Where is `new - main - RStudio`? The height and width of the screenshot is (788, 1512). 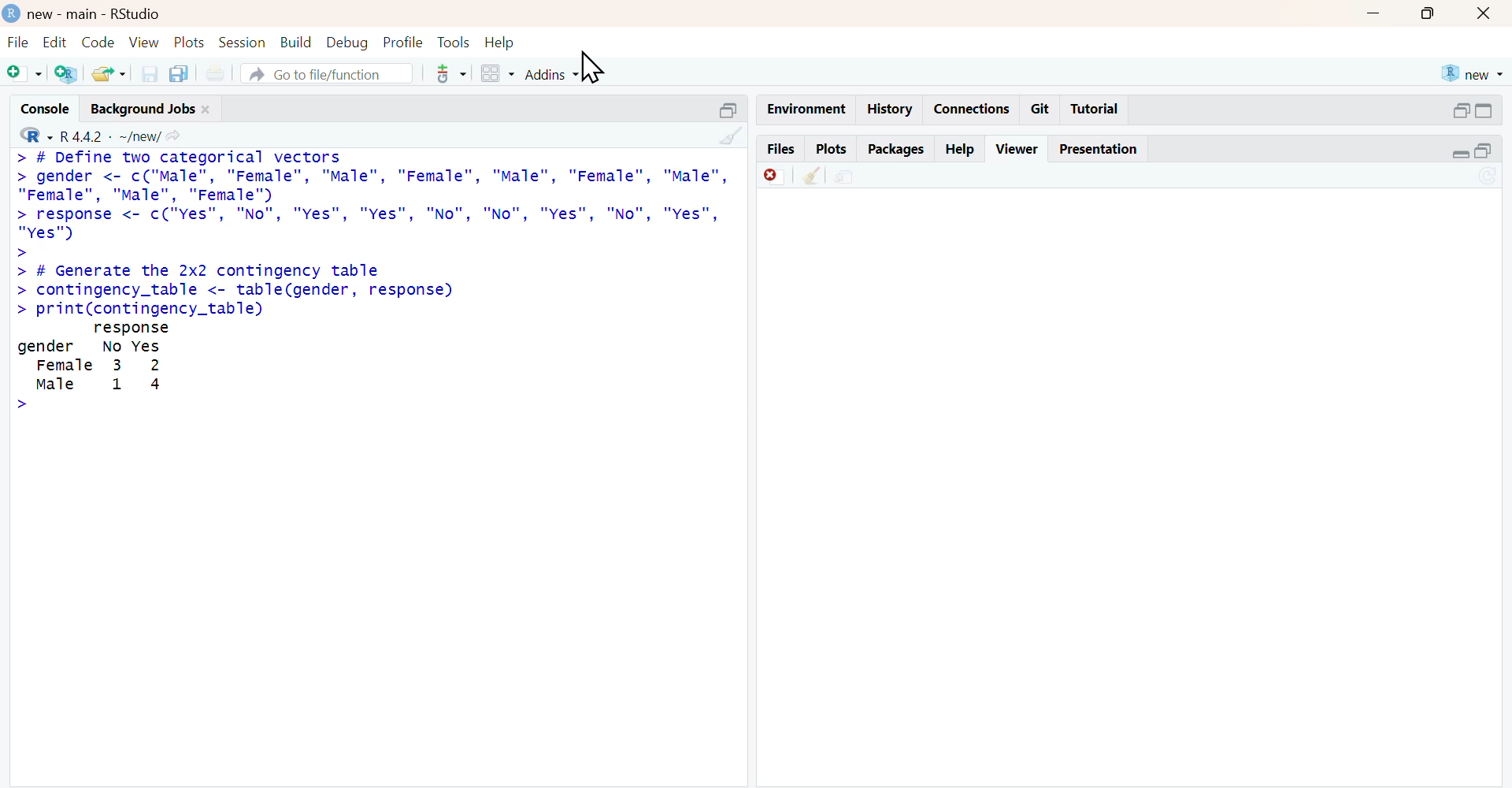 new - main - RStudio is located at coordinates (97, 15).